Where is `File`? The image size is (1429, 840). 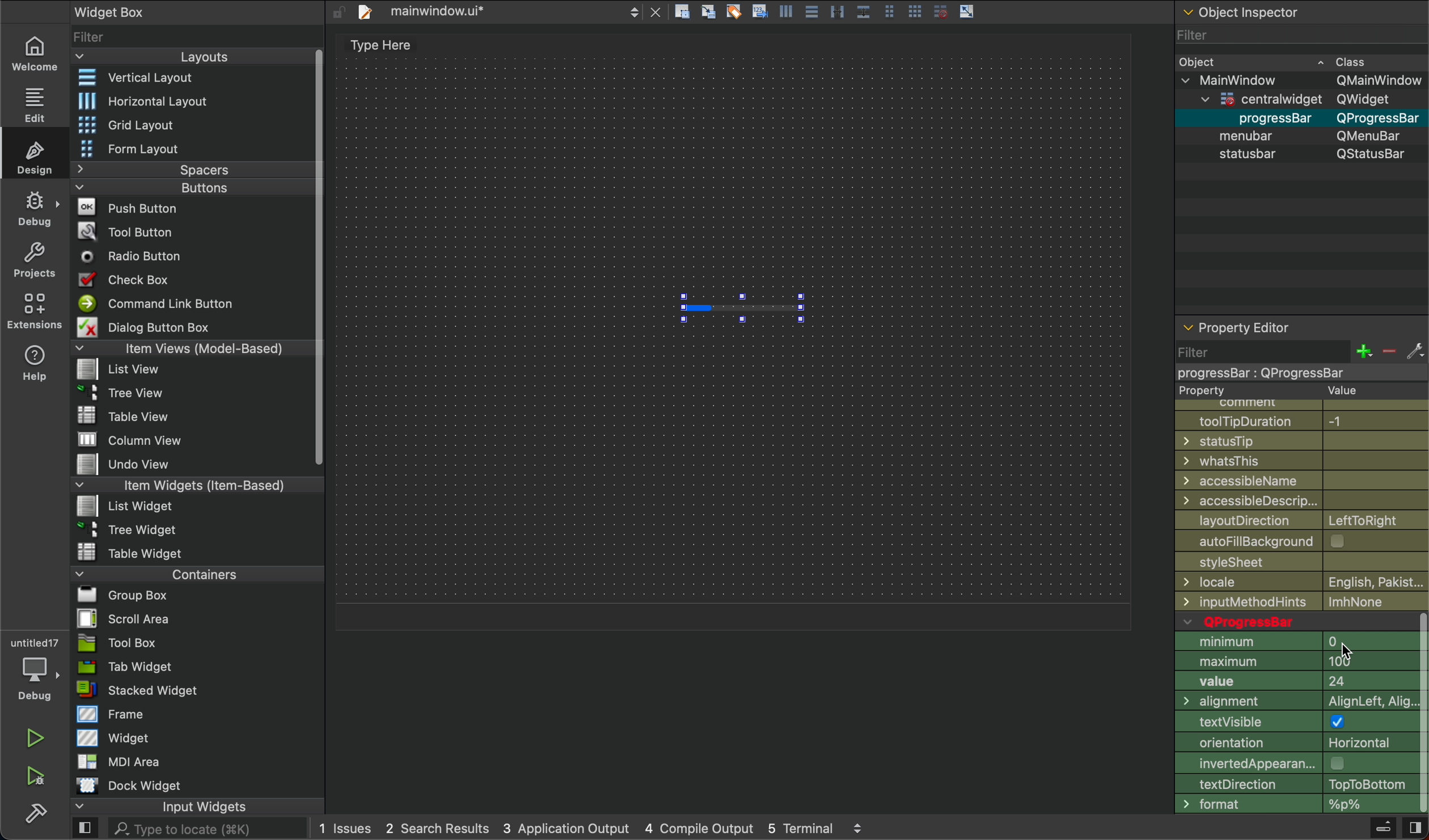
File is located at coordinates (129, 415).